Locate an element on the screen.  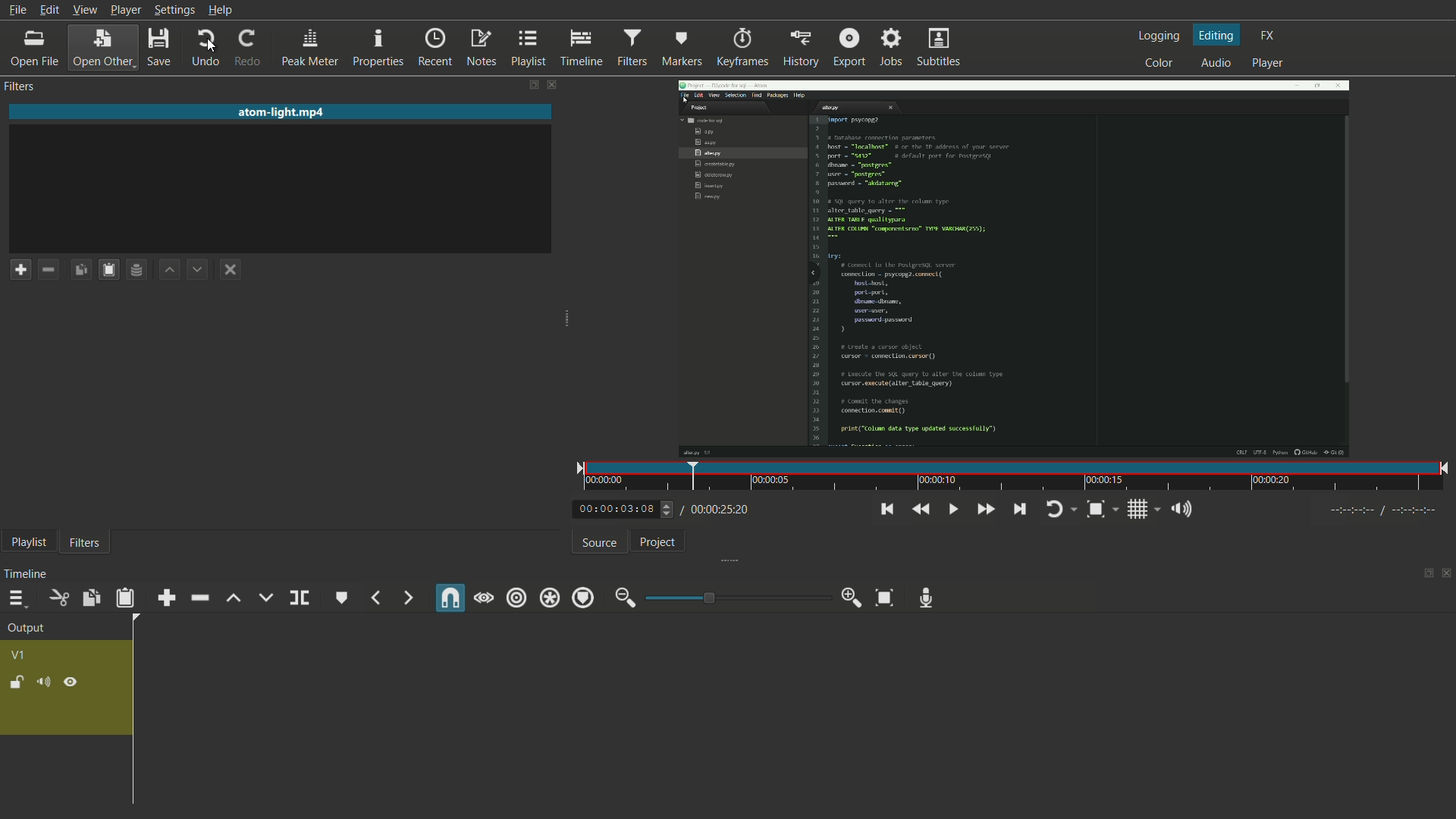
timeline is located at coordinates (25, 576).